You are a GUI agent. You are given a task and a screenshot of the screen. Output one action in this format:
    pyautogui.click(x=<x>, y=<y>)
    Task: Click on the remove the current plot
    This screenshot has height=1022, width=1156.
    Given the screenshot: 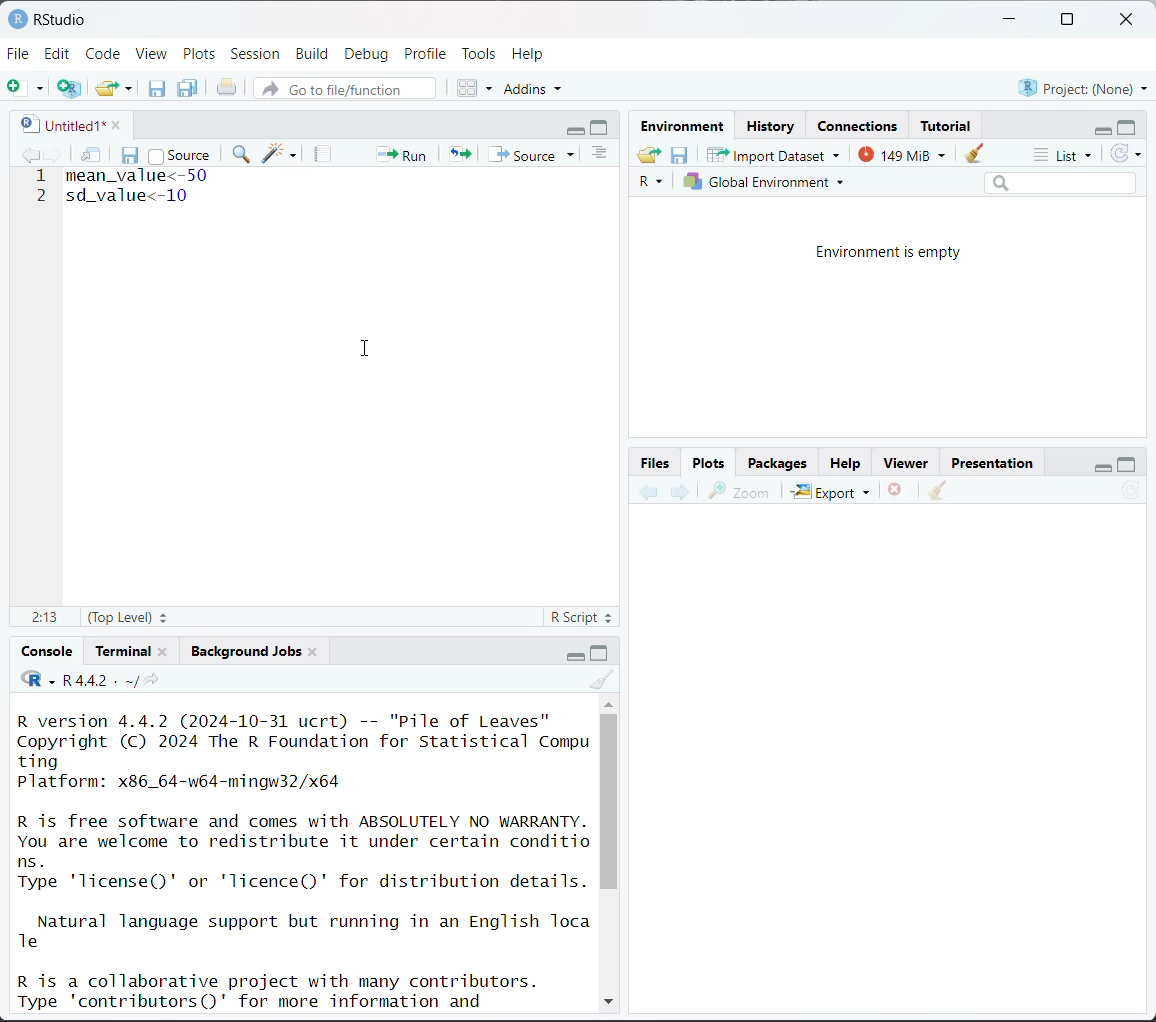 What is the action you would take?
    pyautogui.click(x=896, y=493)
    